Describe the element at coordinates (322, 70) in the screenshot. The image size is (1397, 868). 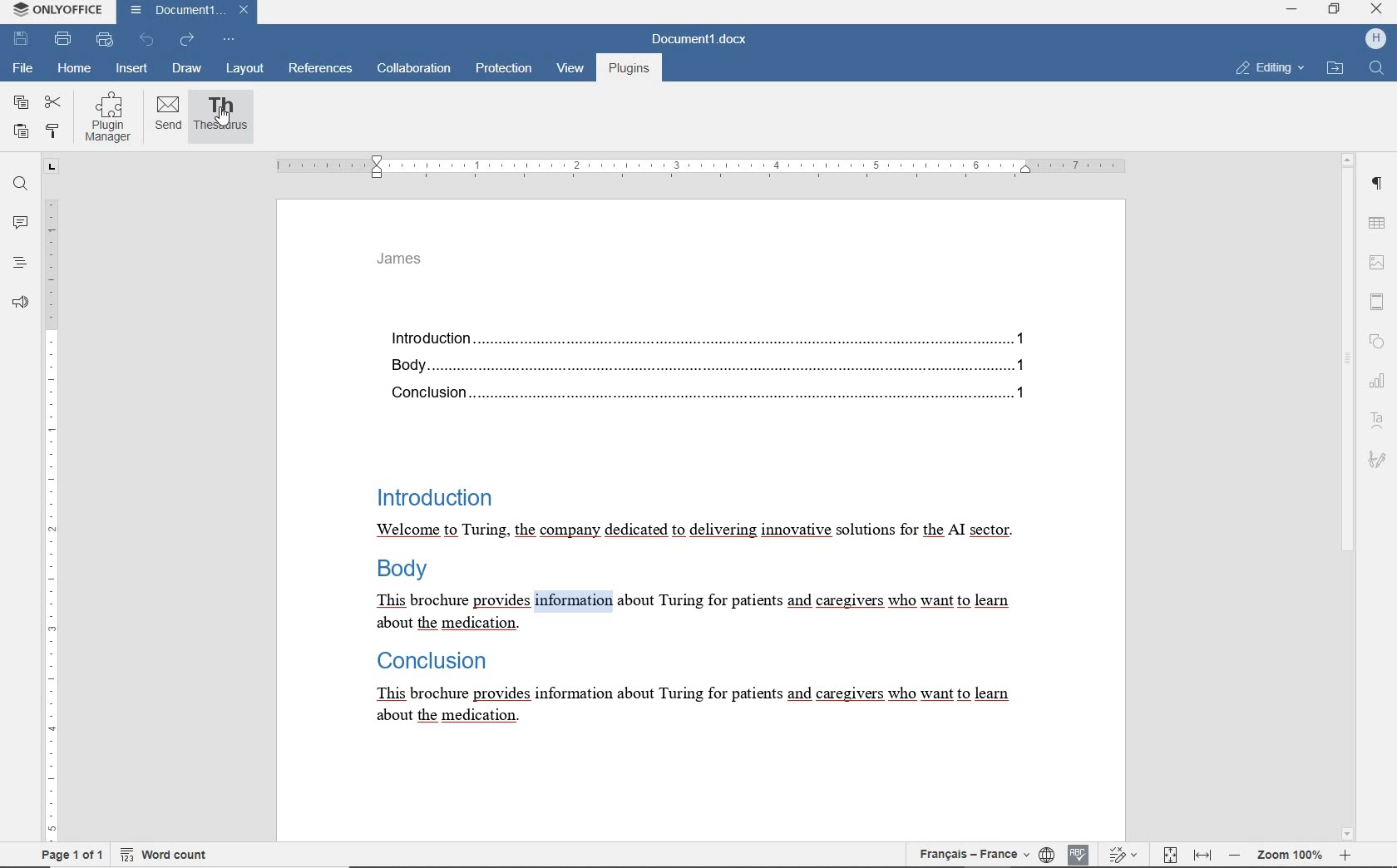
I see `REFERENCES` at that location.